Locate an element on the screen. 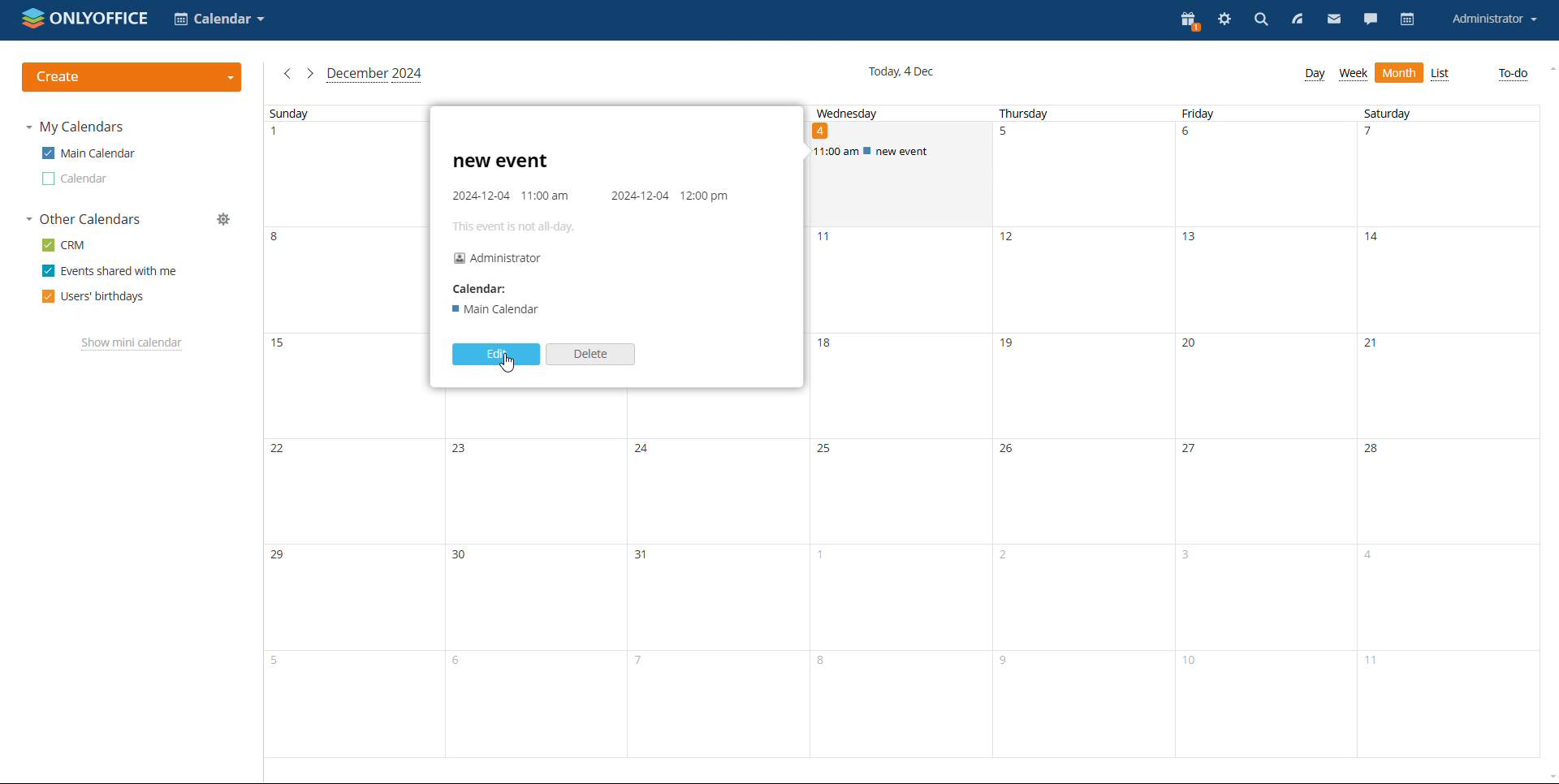  scroll up is located at coordinates (1549, 70).